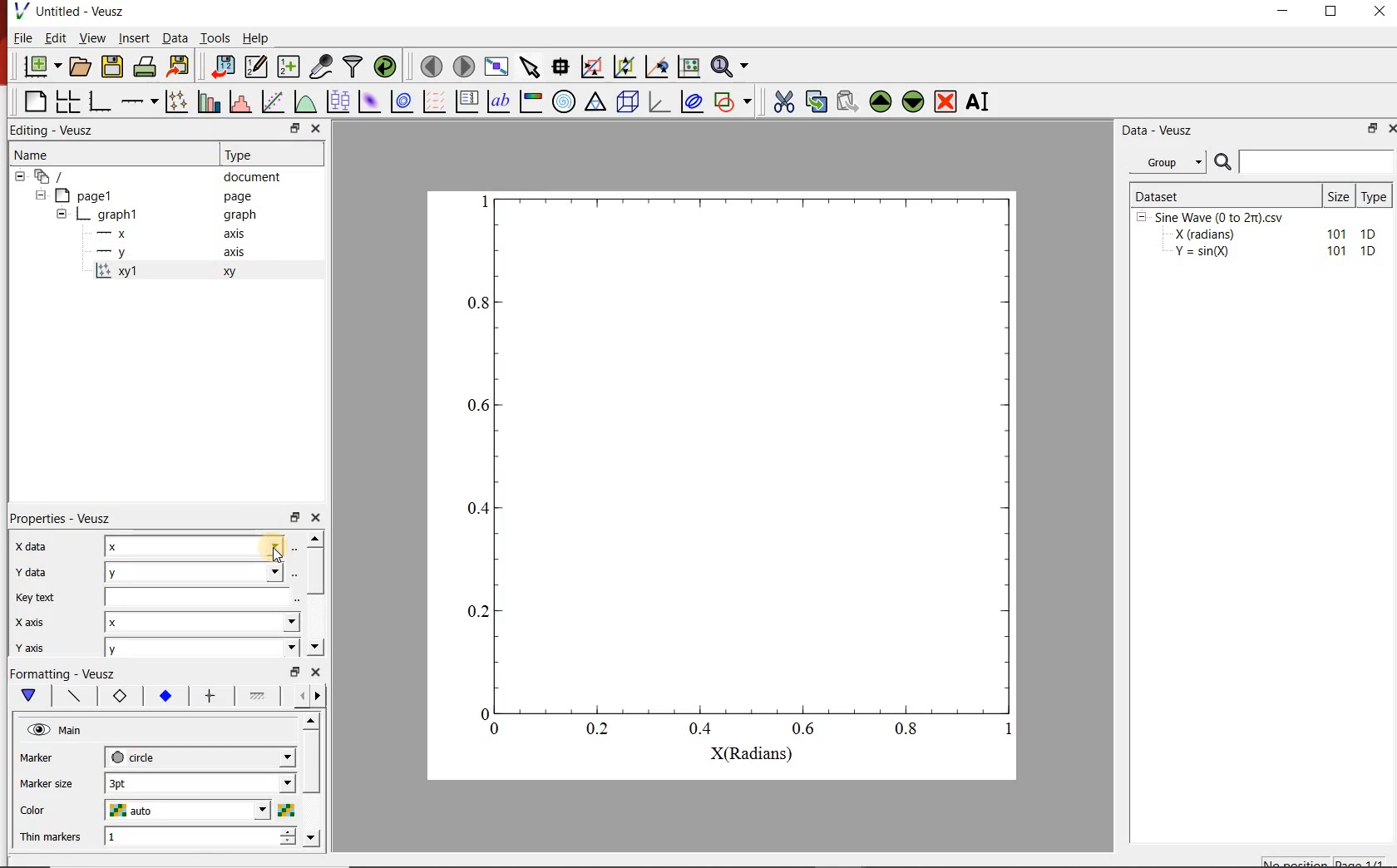 The image size is (1397, 868). What do you see at coordinates (945, 101) in the screenshot?
I see `remove` at bounding box center [945, 101].